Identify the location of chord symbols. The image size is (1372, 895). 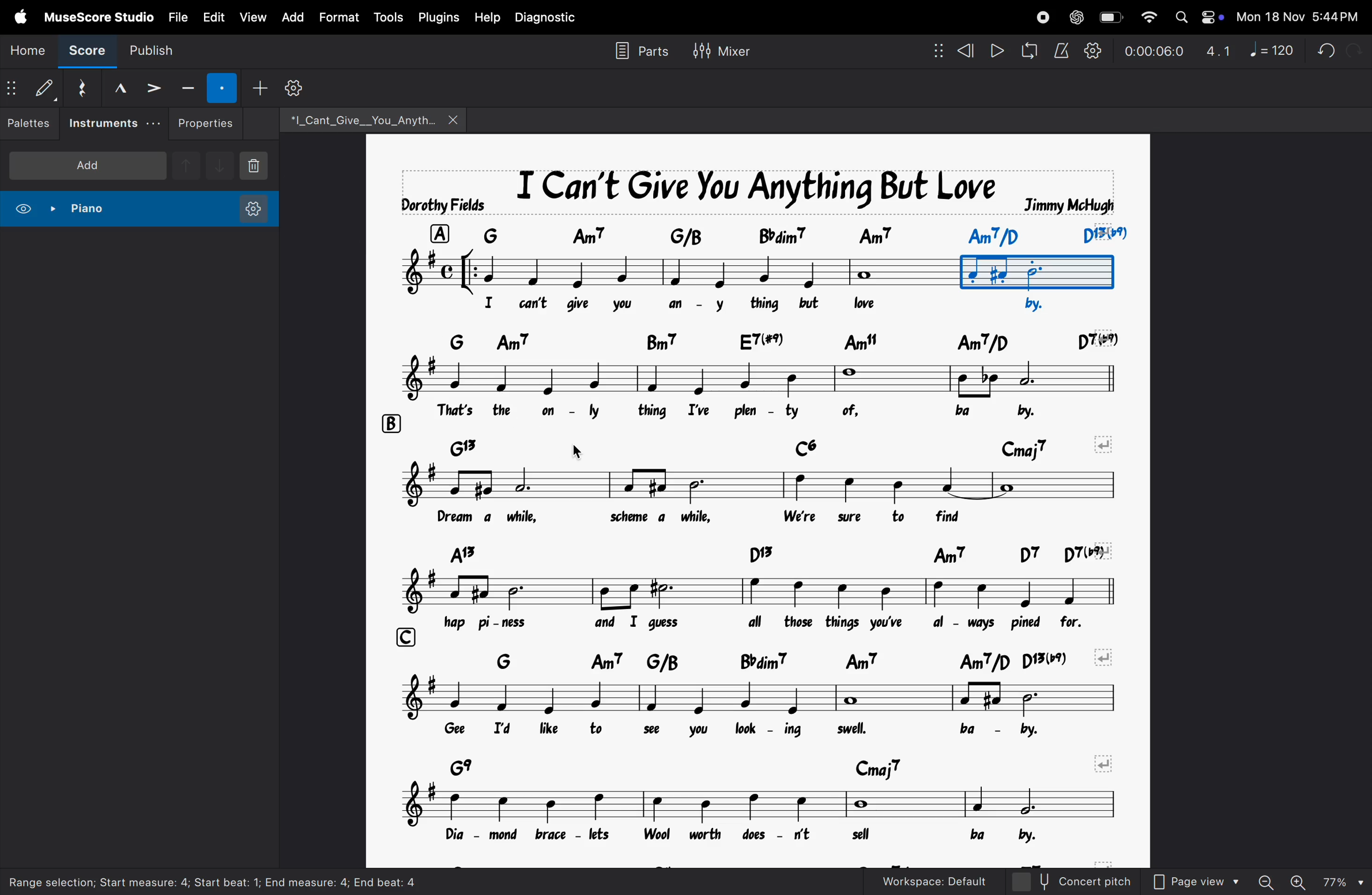
(794, 661).